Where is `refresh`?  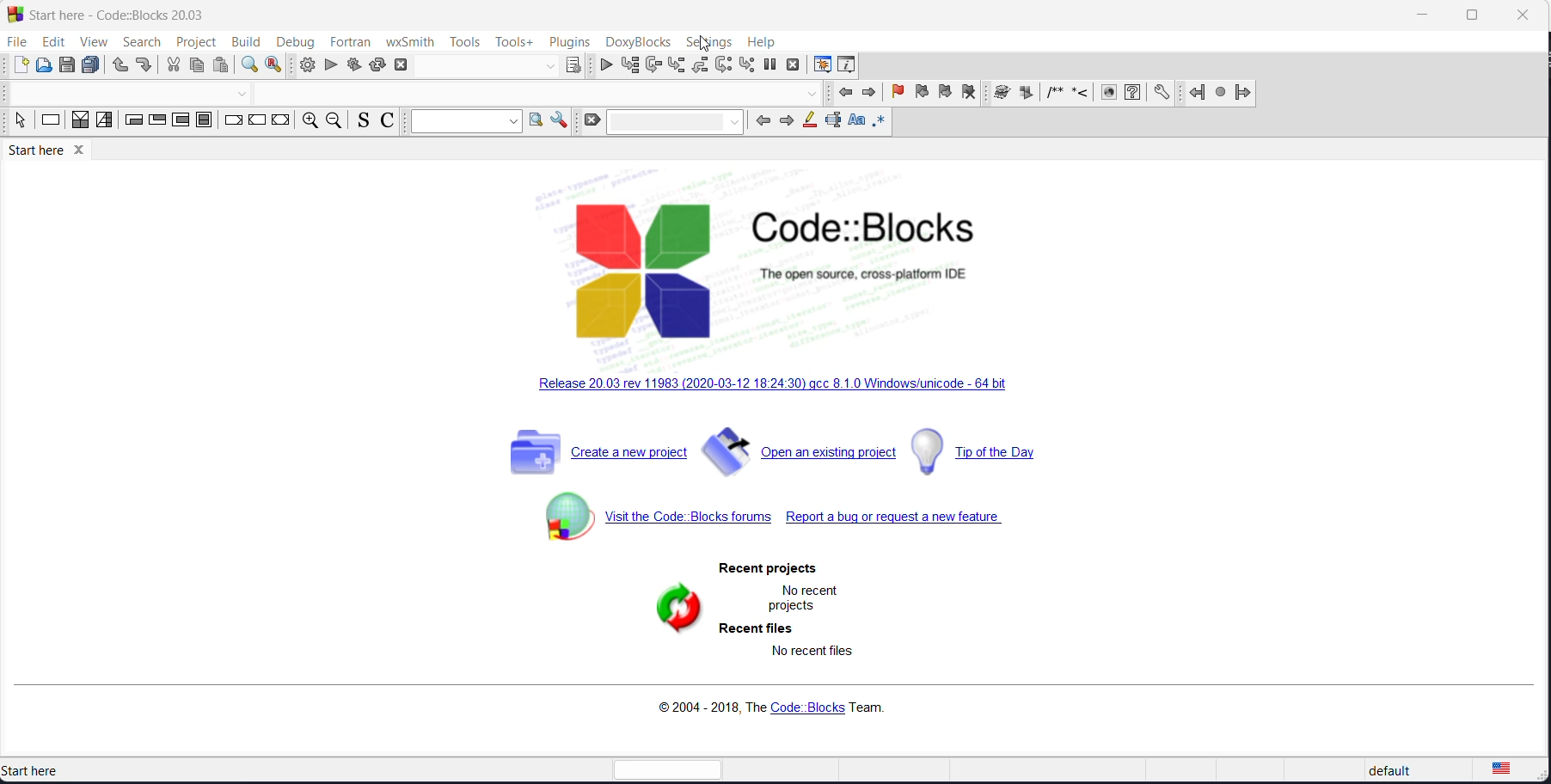 refresh is located at coordinates (672, 610).